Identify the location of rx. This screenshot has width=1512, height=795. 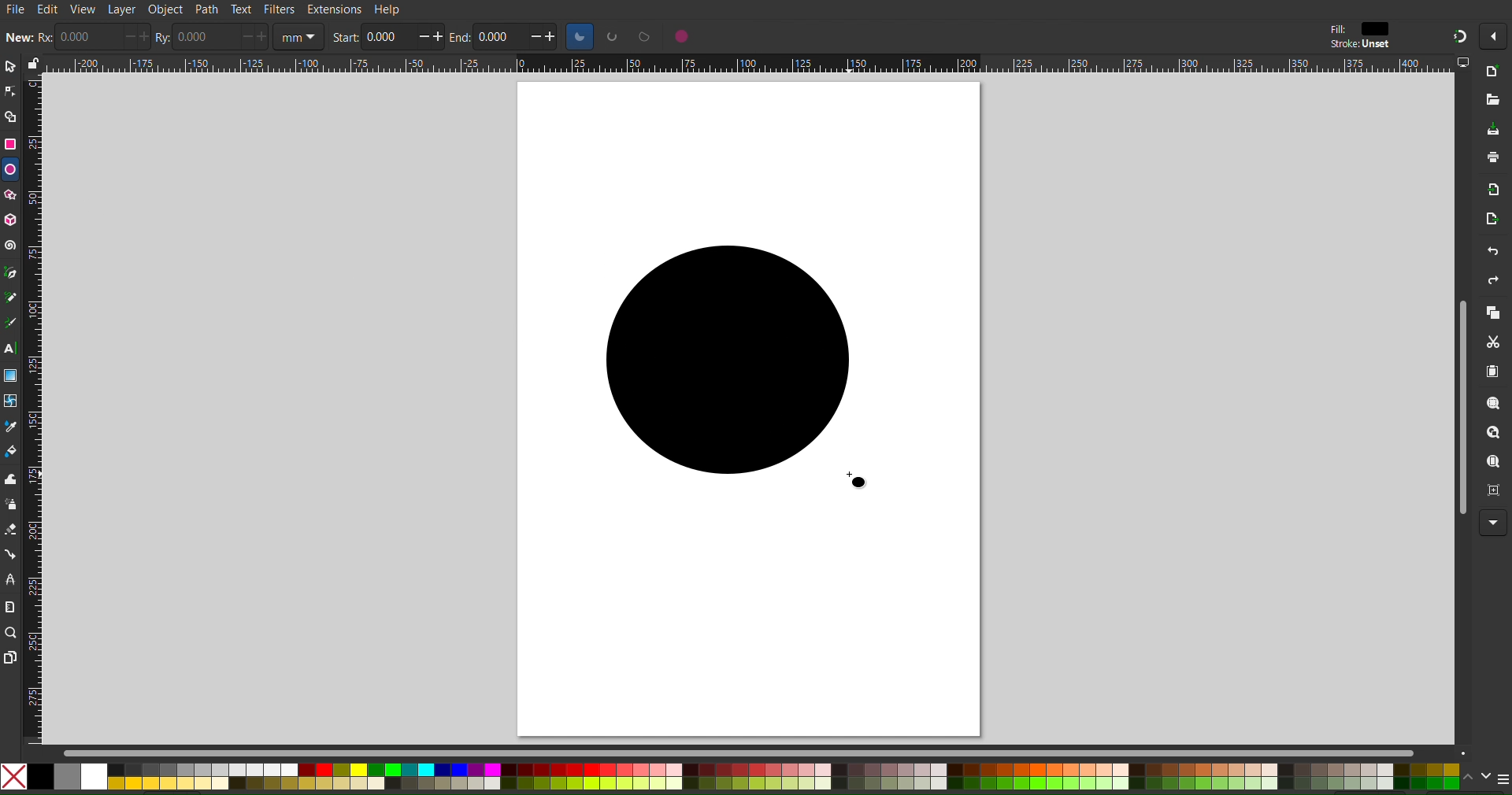
(44, 37).